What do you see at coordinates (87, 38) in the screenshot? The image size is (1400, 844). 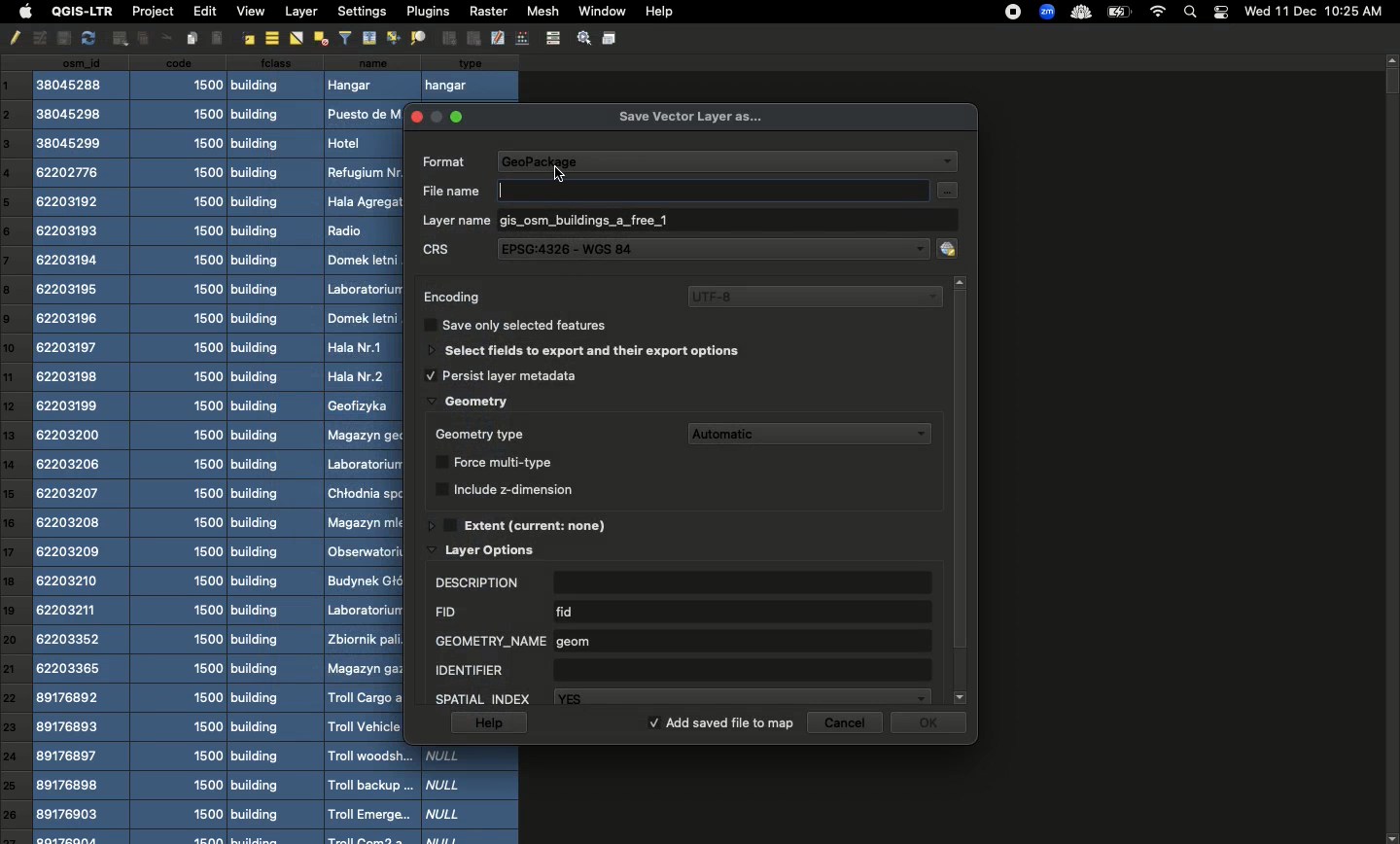 I see `redo` at bounding box center [87, 38].